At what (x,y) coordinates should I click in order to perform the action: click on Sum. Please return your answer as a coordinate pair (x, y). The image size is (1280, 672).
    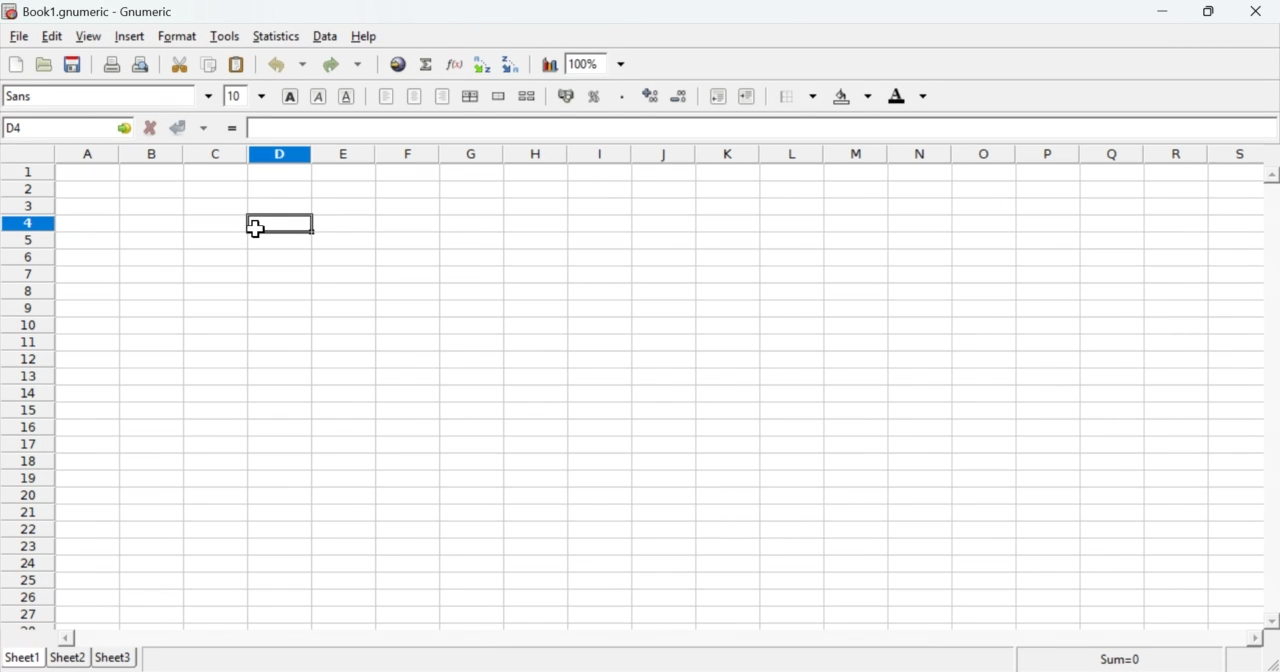
    Looking at the image, I should click on (1118, 659).